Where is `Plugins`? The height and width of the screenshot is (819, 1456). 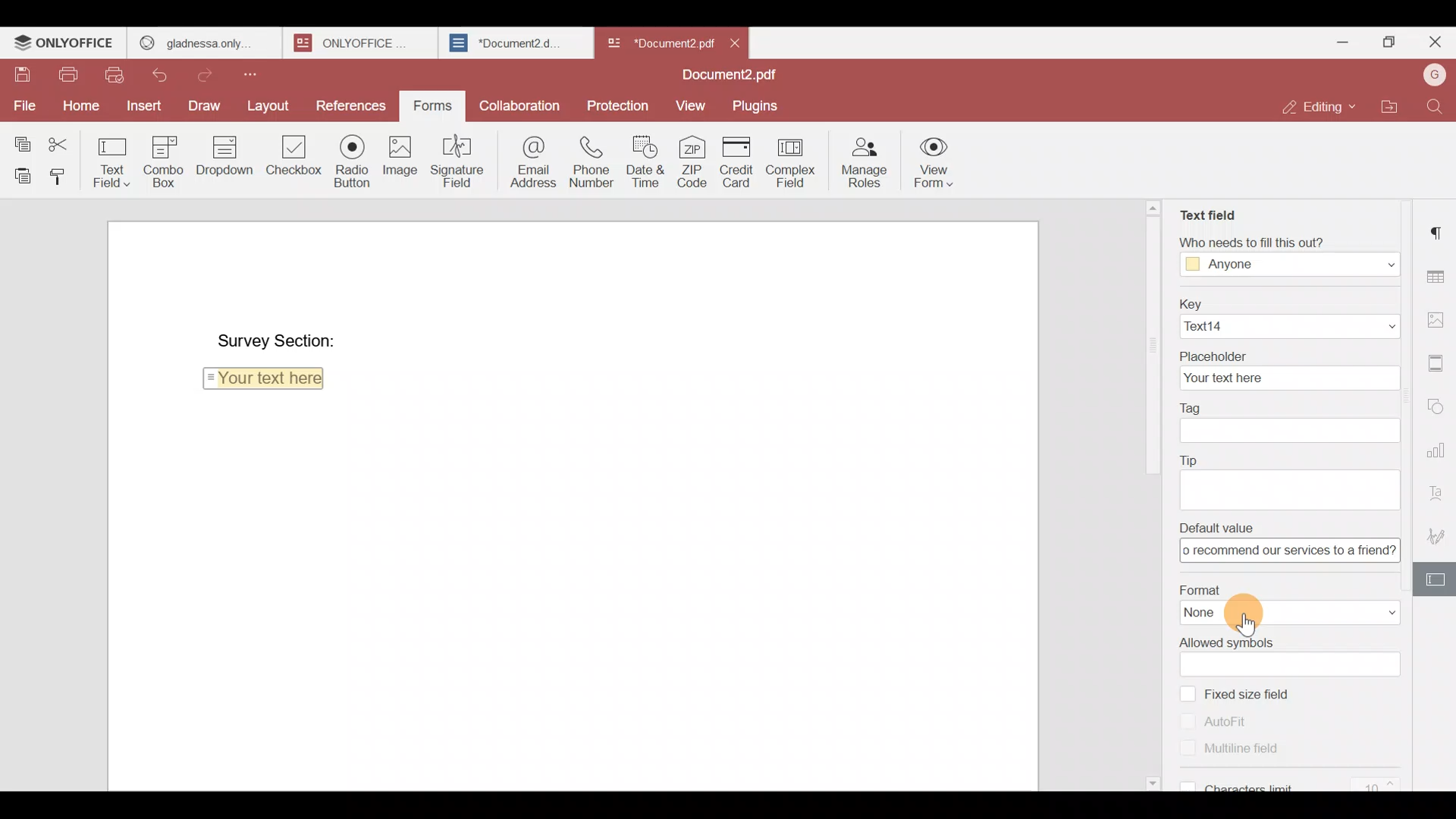
Plugins is located at coordinates (756, 105).